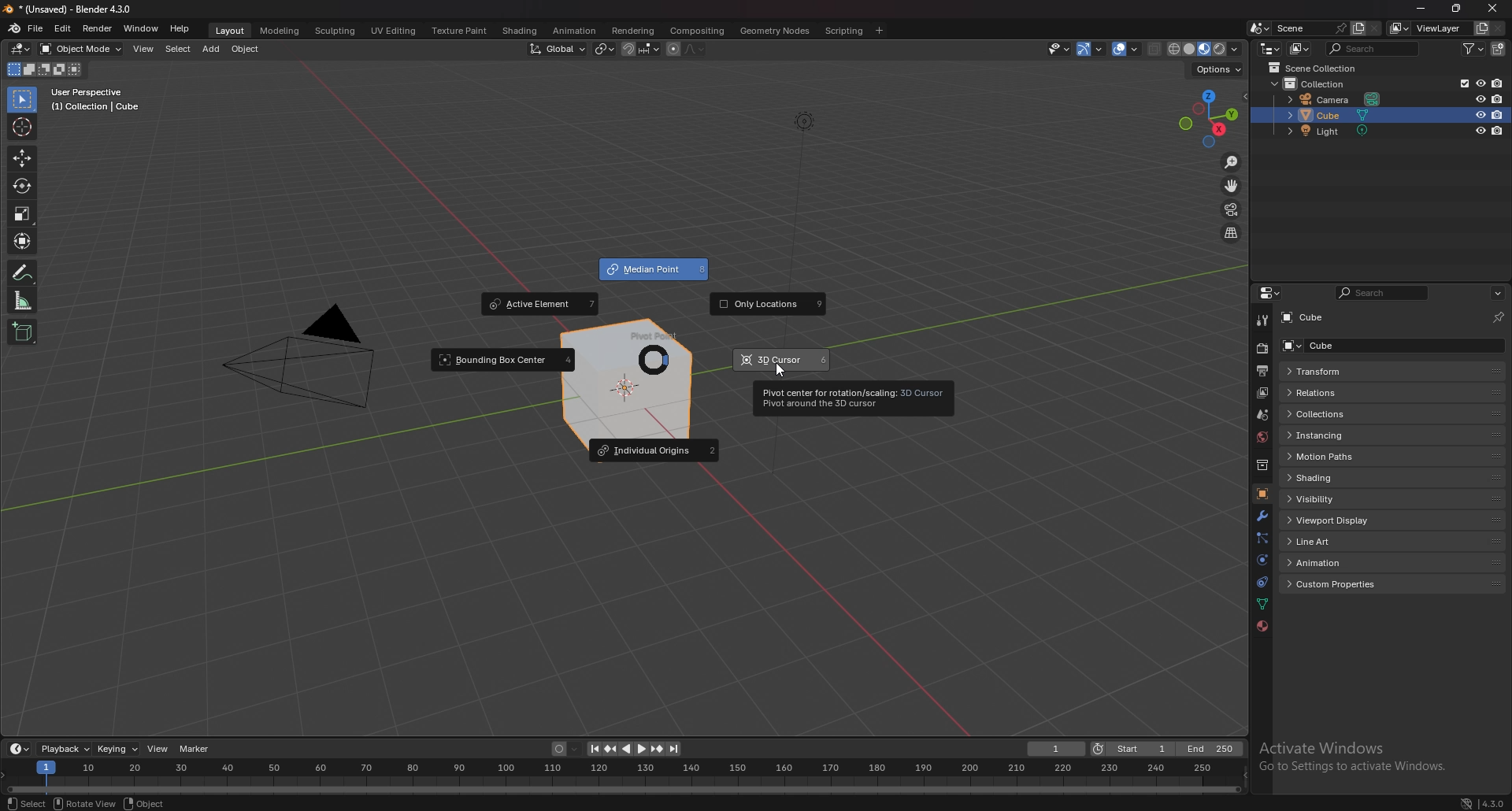  I want to click on options, so click(1498, 293).